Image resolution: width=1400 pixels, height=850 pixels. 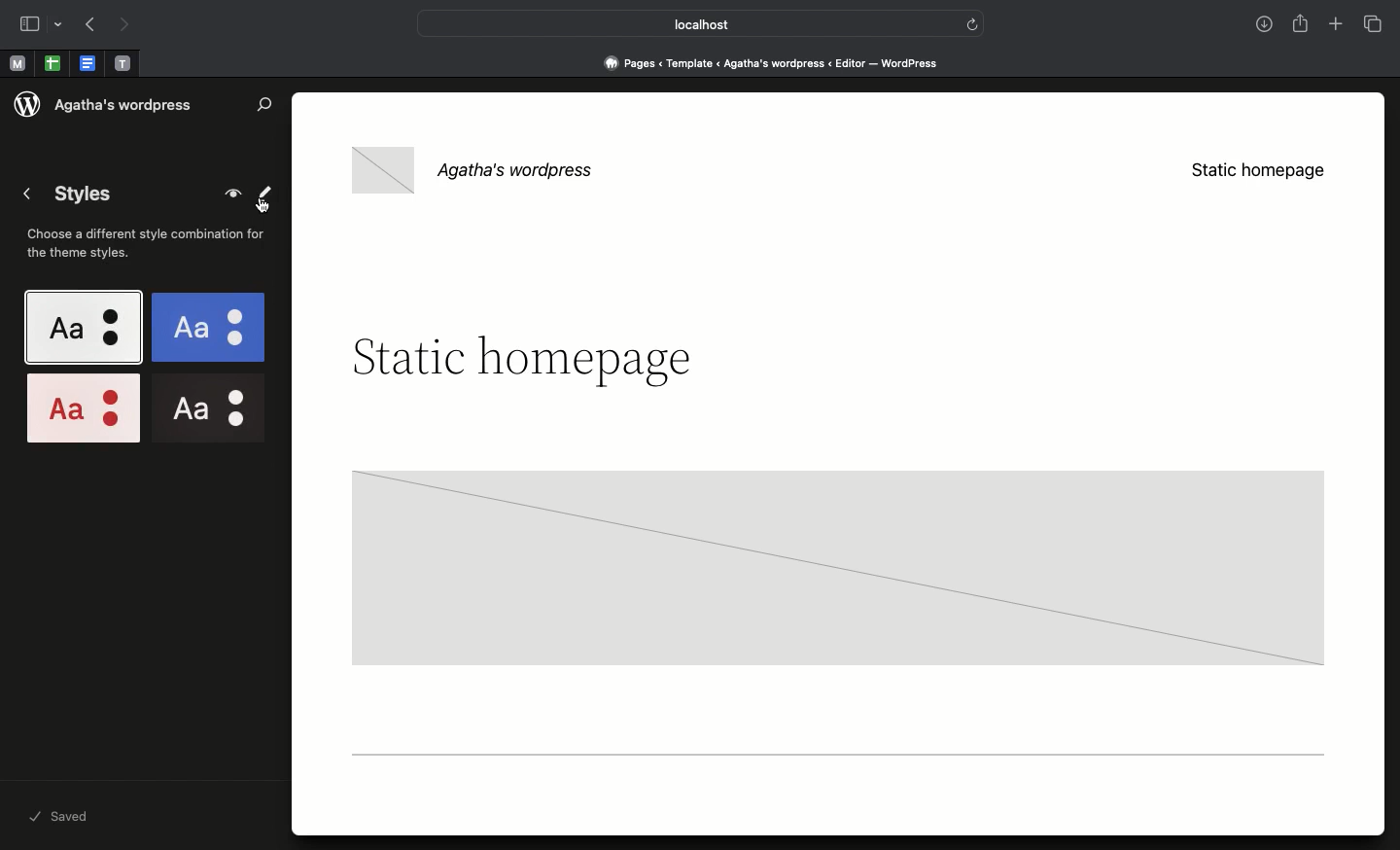 I want to click on cursor, so click(x=262, y=206).